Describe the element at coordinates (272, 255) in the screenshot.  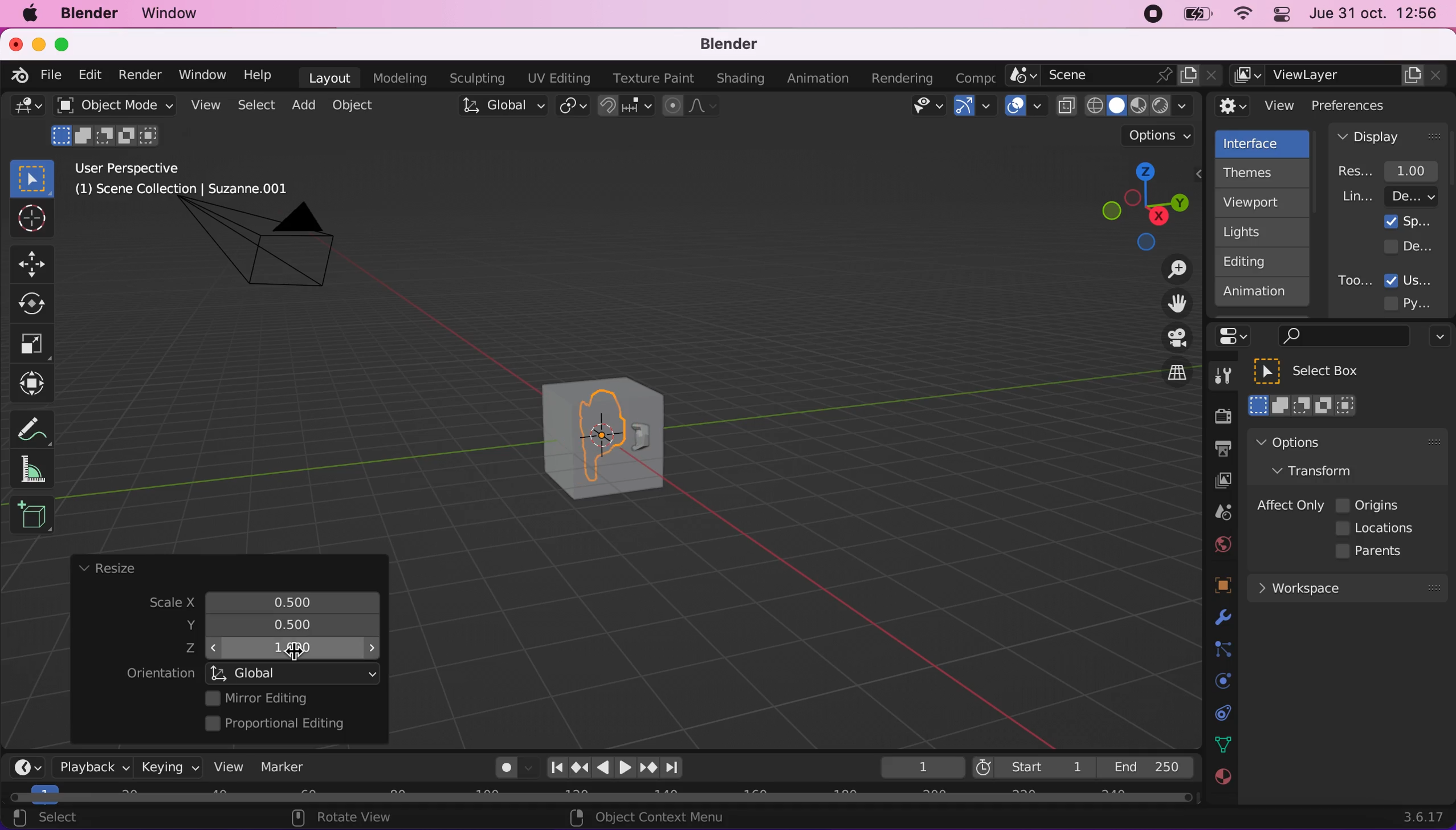
I see `camera` at that location.